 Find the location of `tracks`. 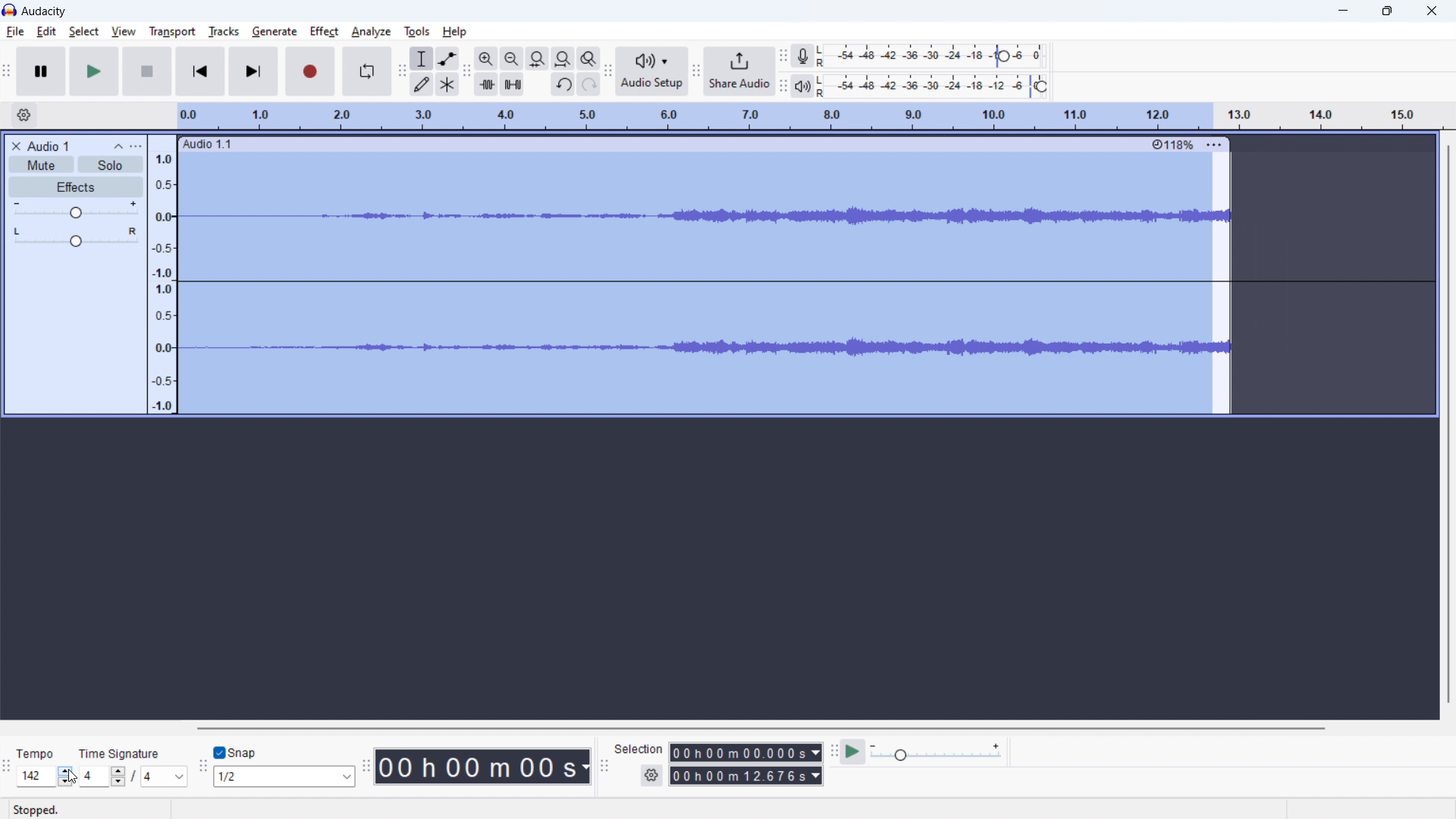

tracks is located at coordinates (223, 32).